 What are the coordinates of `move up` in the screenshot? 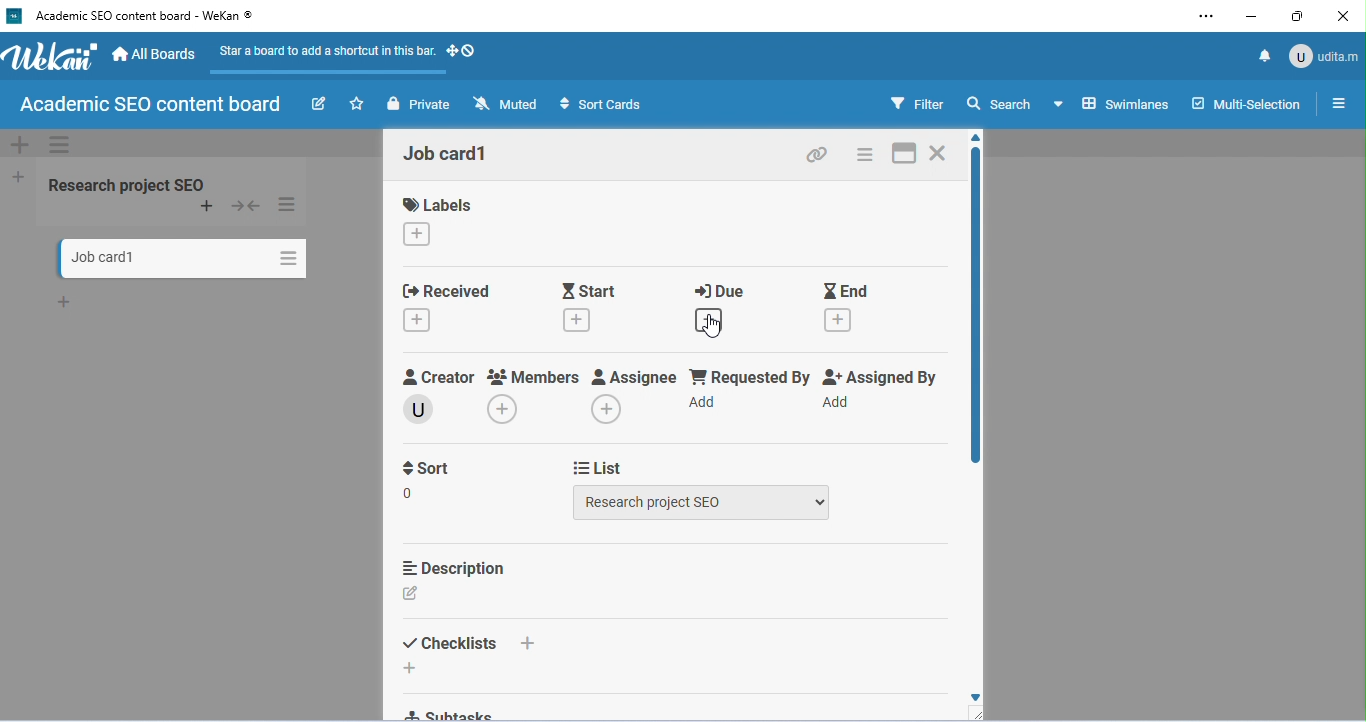 It's located at (977, 139).